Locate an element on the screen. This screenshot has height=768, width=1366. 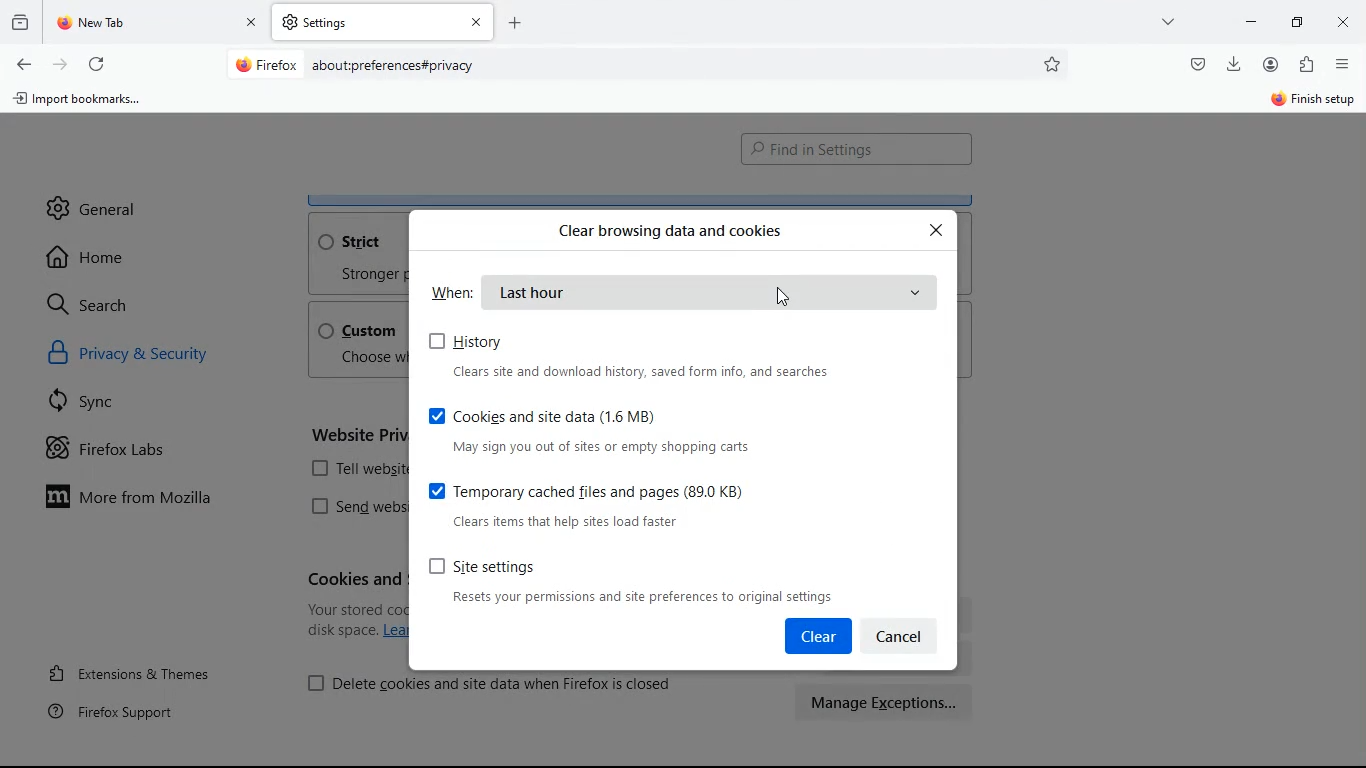
about:preferences#privacy is located at coordinates (394, 66).